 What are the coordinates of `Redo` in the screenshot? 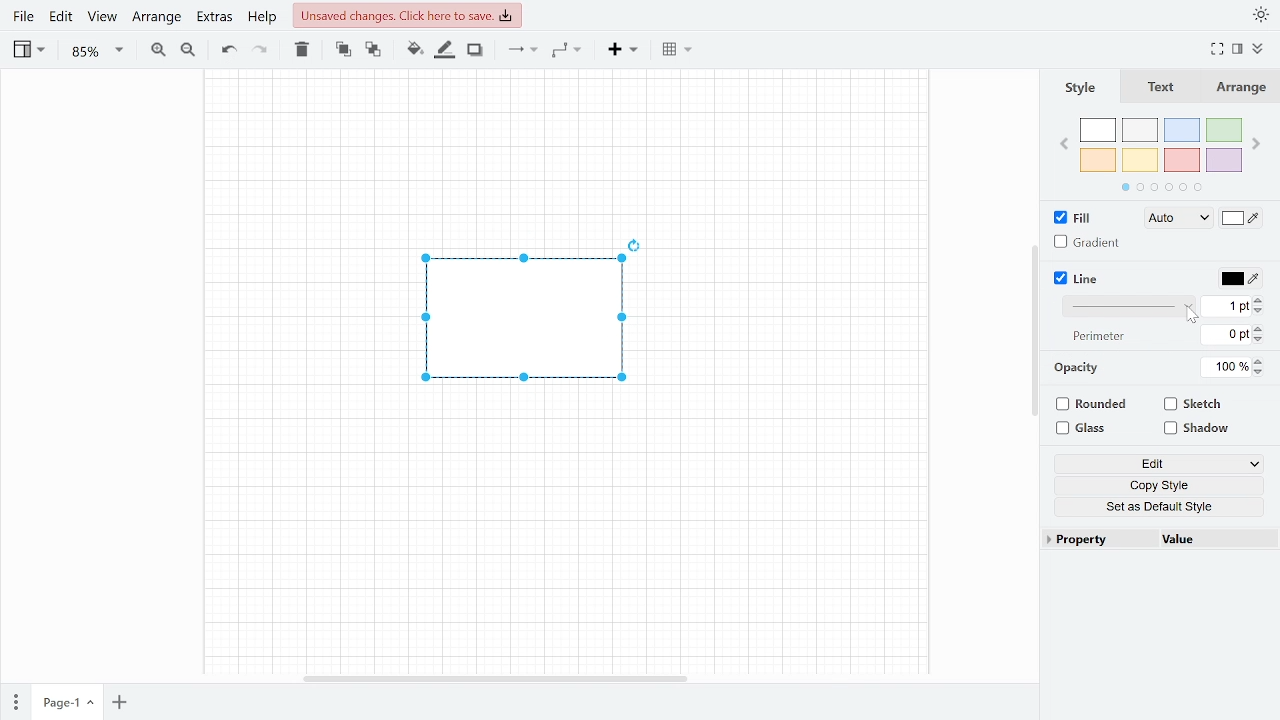 It's located at (261, 50).